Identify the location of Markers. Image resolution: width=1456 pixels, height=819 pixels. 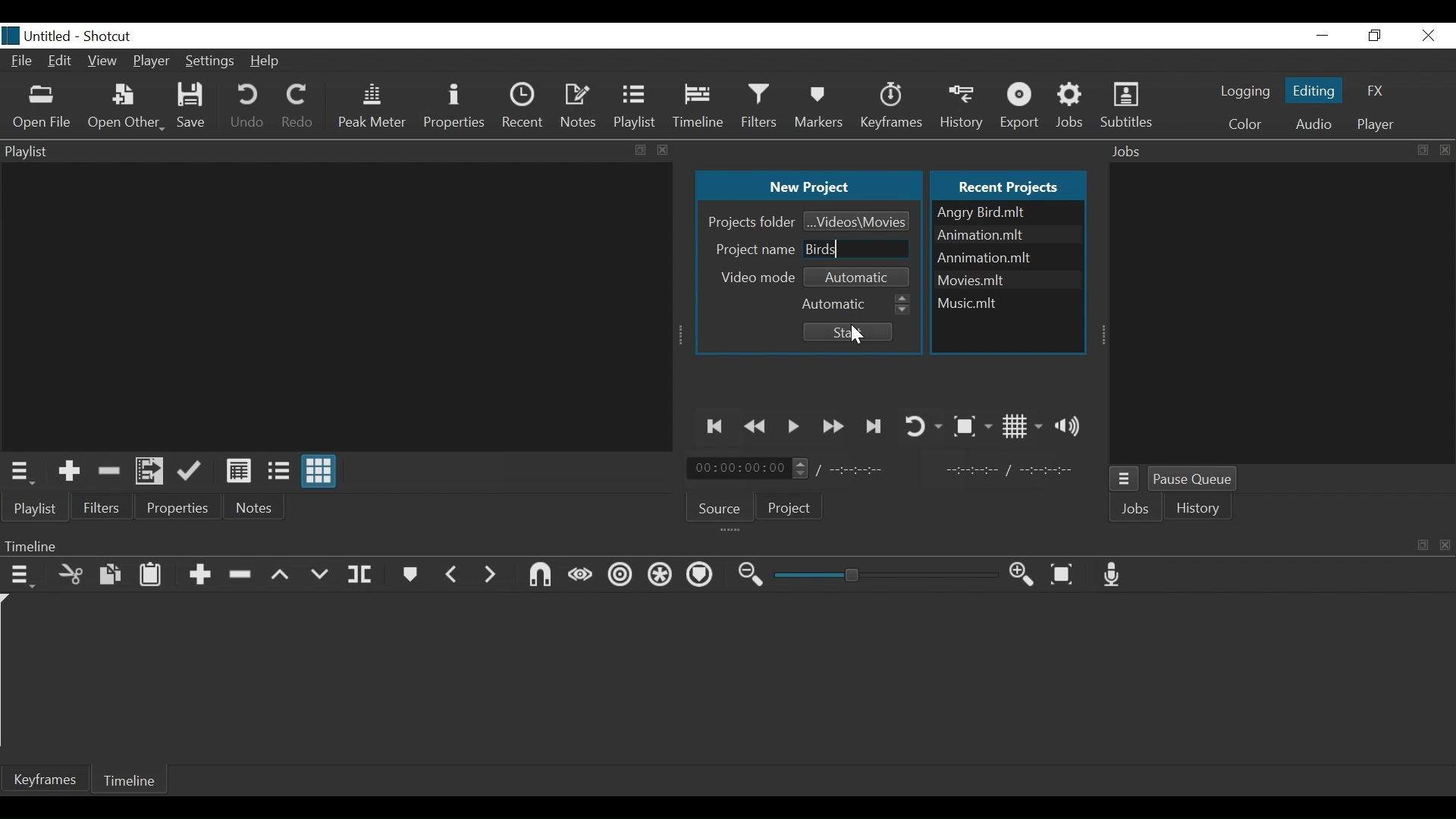
(821, 106).